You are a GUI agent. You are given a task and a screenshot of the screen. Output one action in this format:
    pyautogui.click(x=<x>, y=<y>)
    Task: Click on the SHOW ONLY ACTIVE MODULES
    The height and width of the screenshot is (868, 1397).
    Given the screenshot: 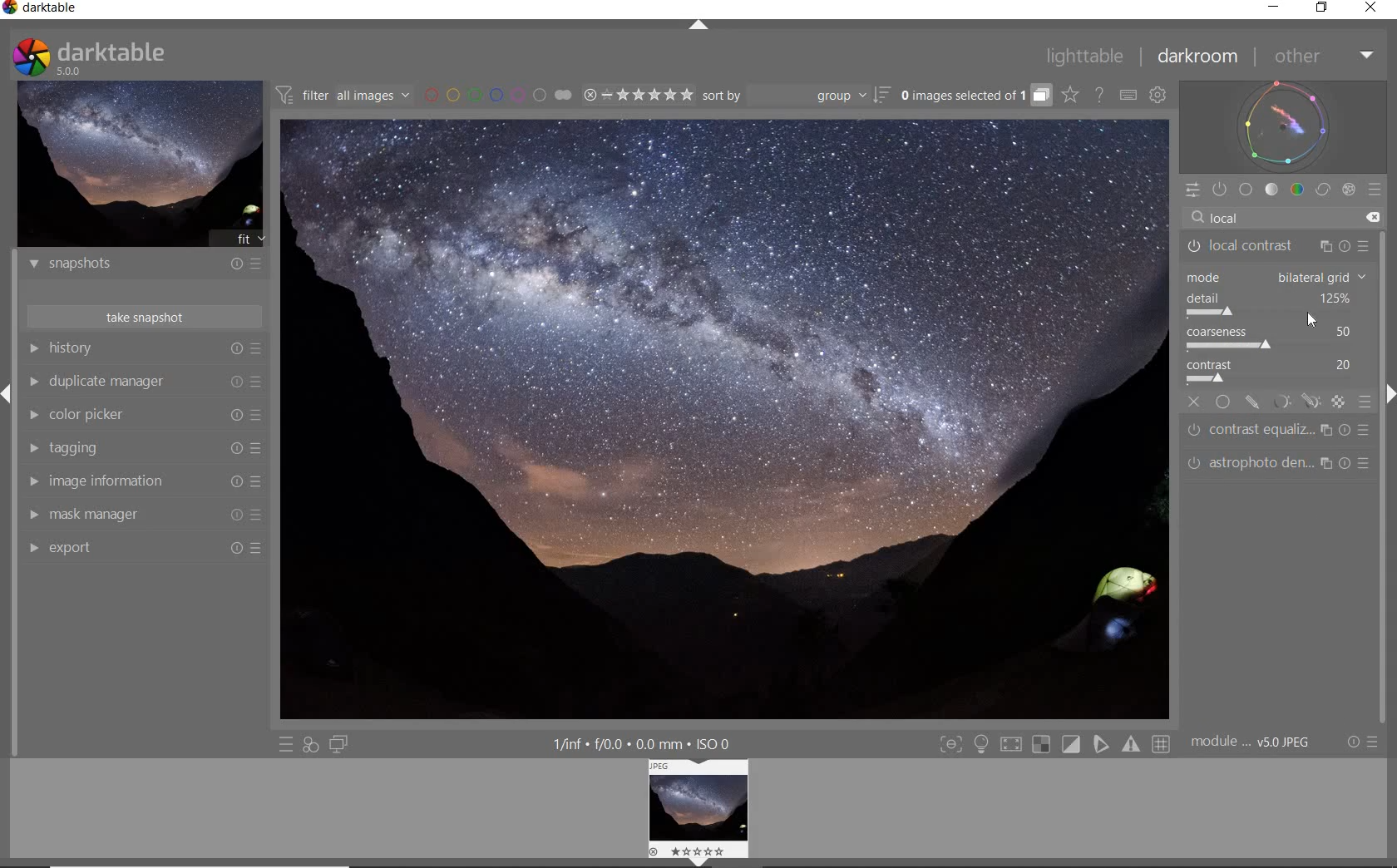 What is the action you would take?
    pyautogui.click(x=1220, y=189)
    